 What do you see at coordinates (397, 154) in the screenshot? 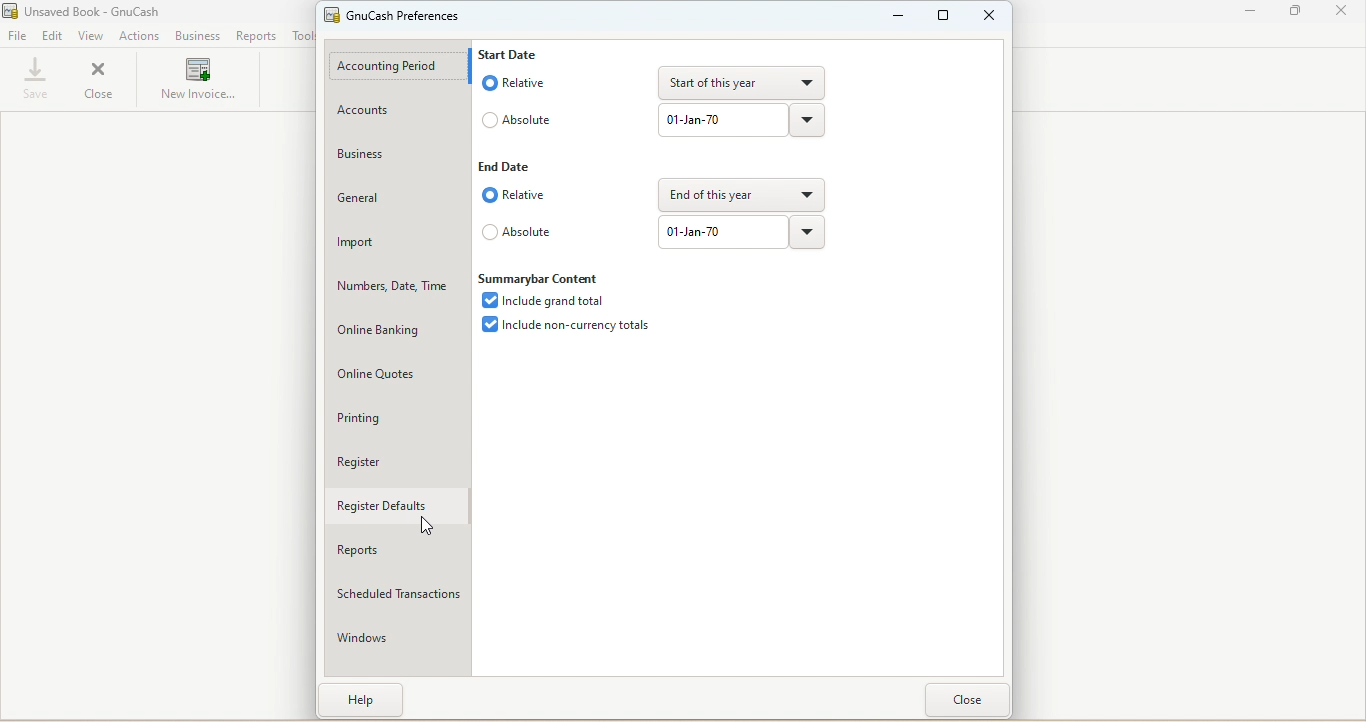
I see `Business` at bounding box center [397, 154].